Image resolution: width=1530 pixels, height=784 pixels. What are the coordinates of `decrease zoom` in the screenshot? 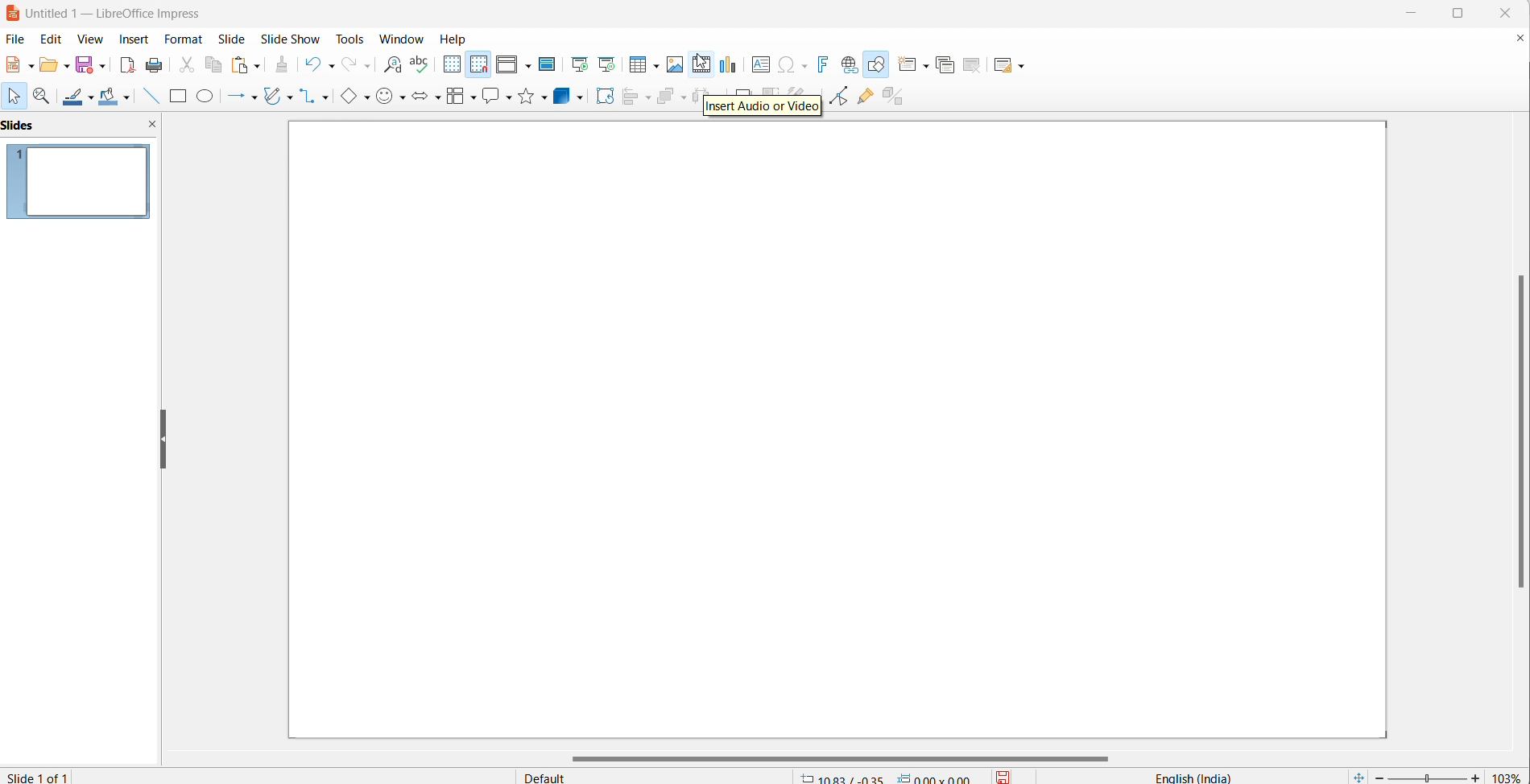 It's located at (1378, 776).